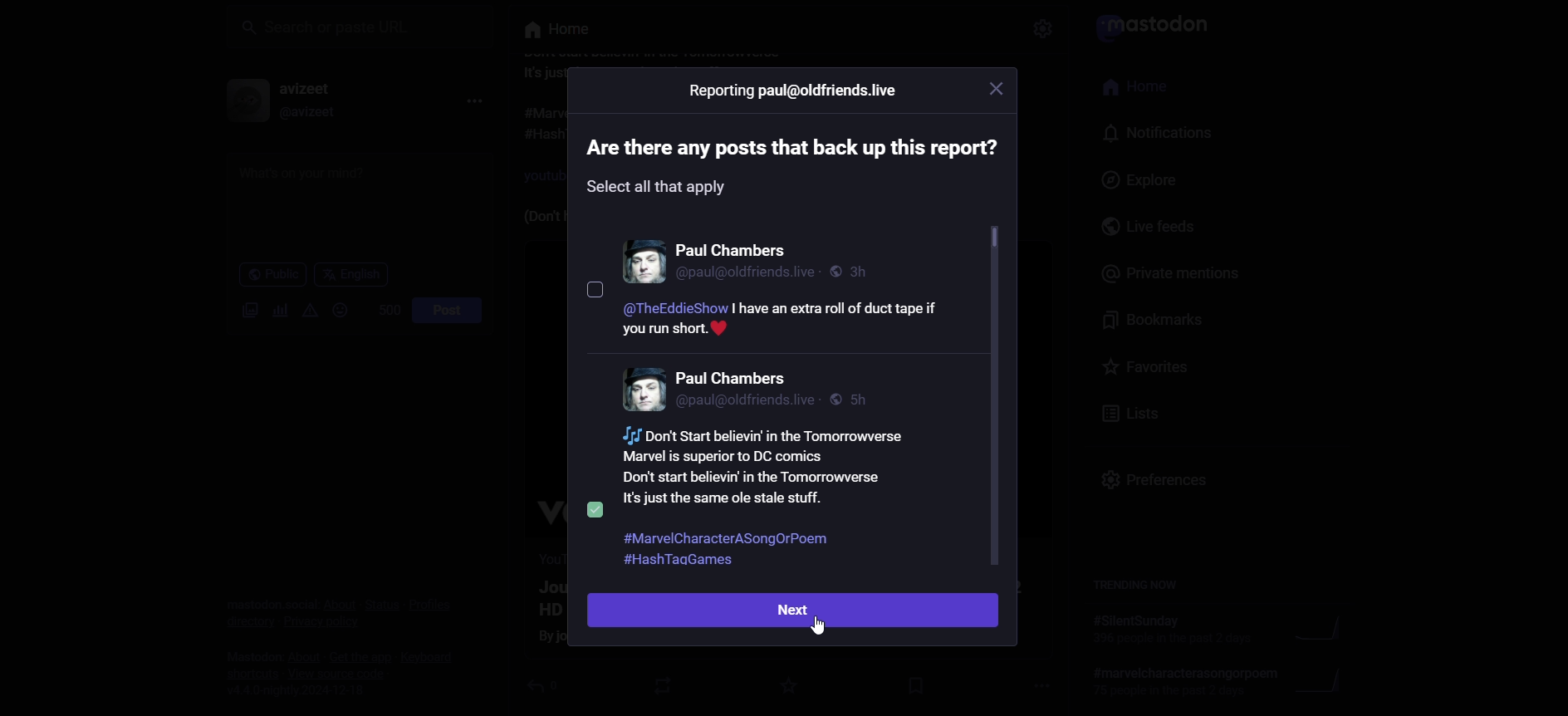 The image size is (1568, 716). What do you see at coordinates (993, 398) in the screenshot?
I see `scroll bar` at bounding box center [993, 398].